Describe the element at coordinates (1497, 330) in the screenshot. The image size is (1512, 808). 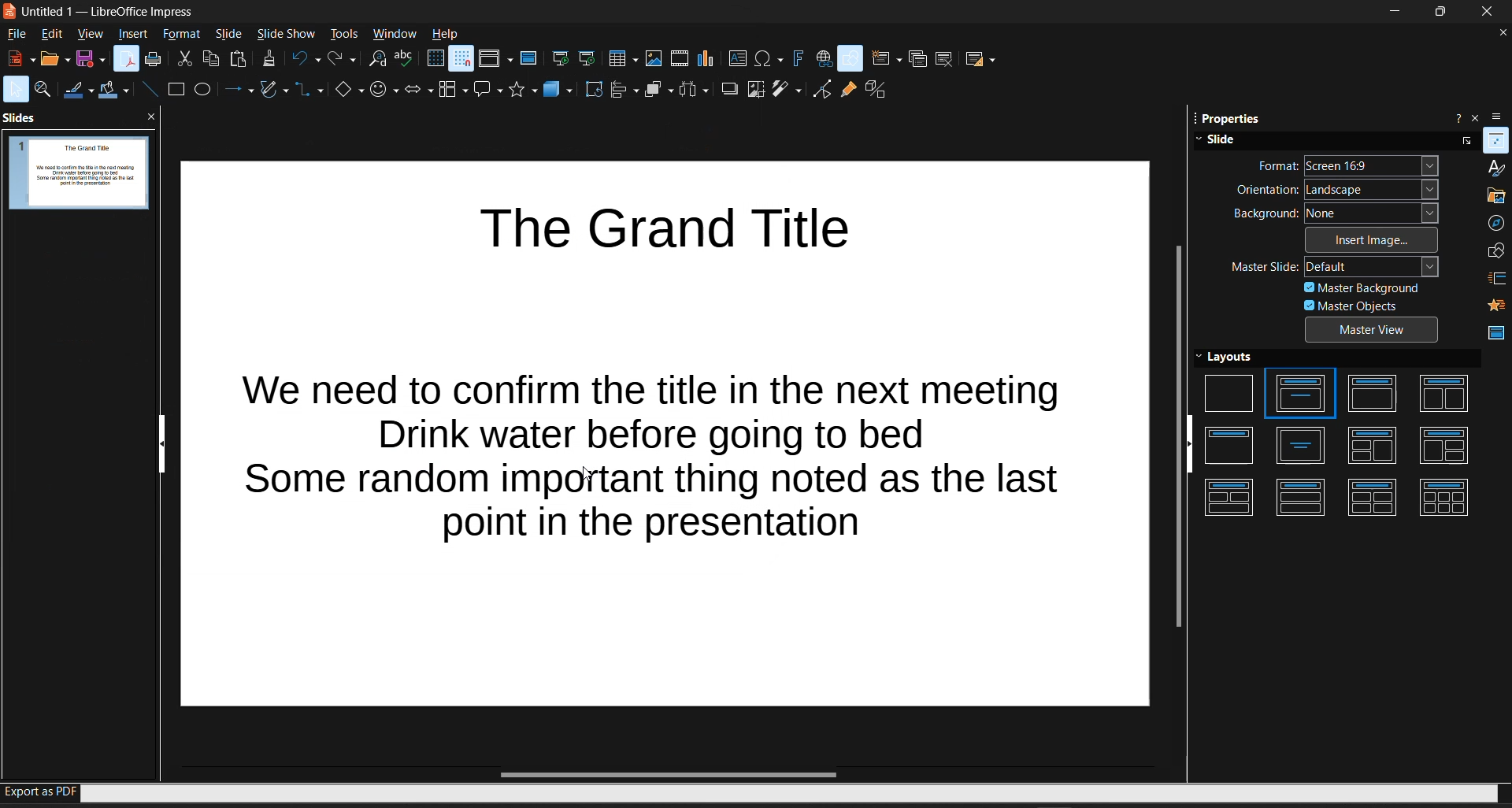
I see `master slides` at that location.